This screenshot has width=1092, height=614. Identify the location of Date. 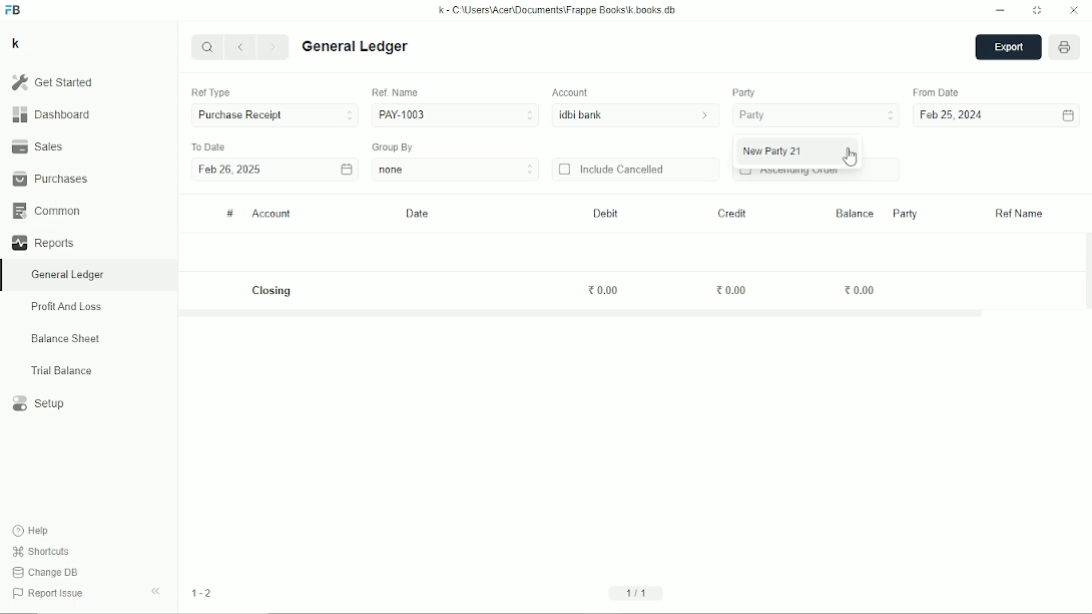
(419, 214).